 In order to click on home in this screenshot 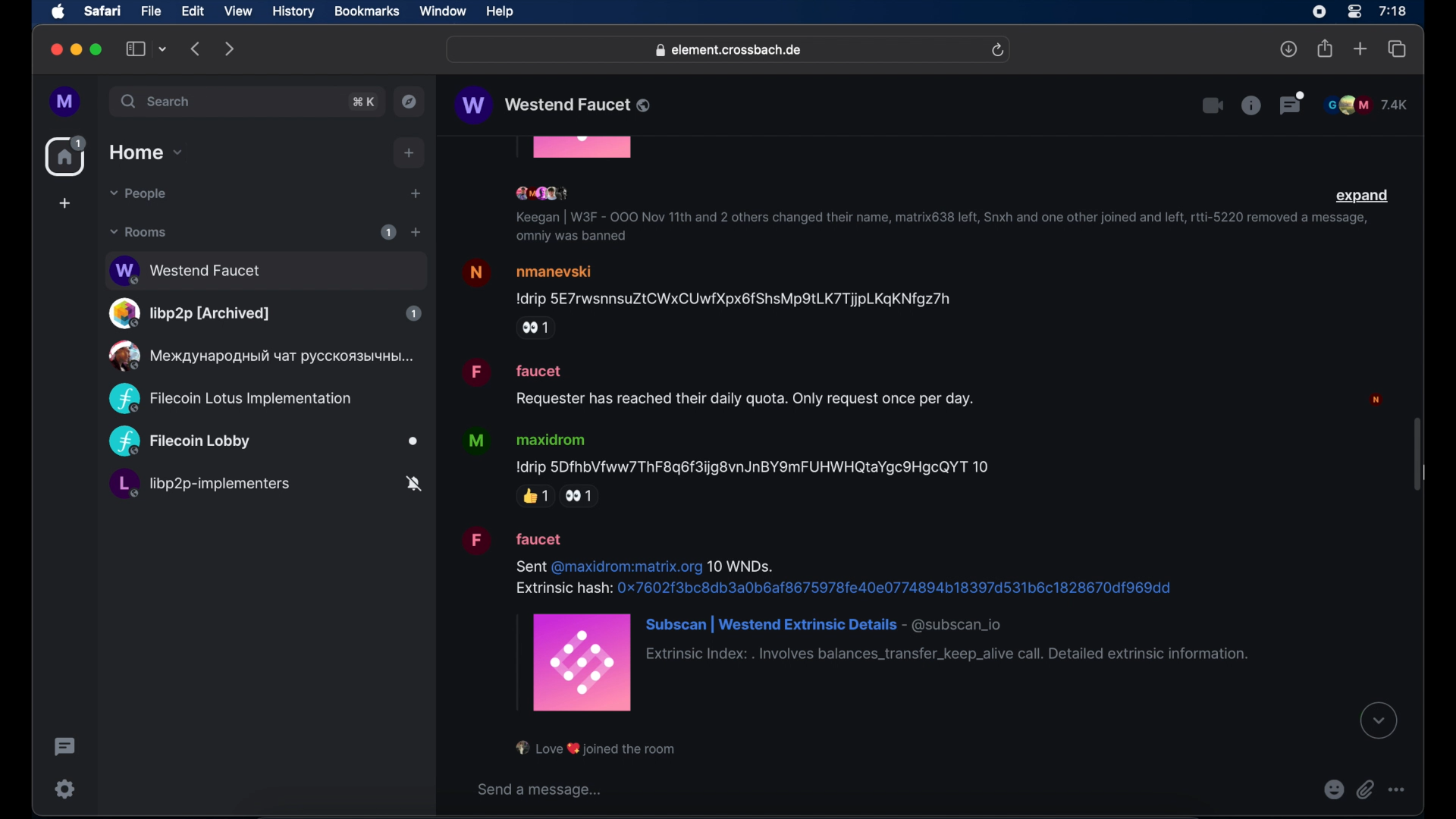, I will do `click(67, 156)`.